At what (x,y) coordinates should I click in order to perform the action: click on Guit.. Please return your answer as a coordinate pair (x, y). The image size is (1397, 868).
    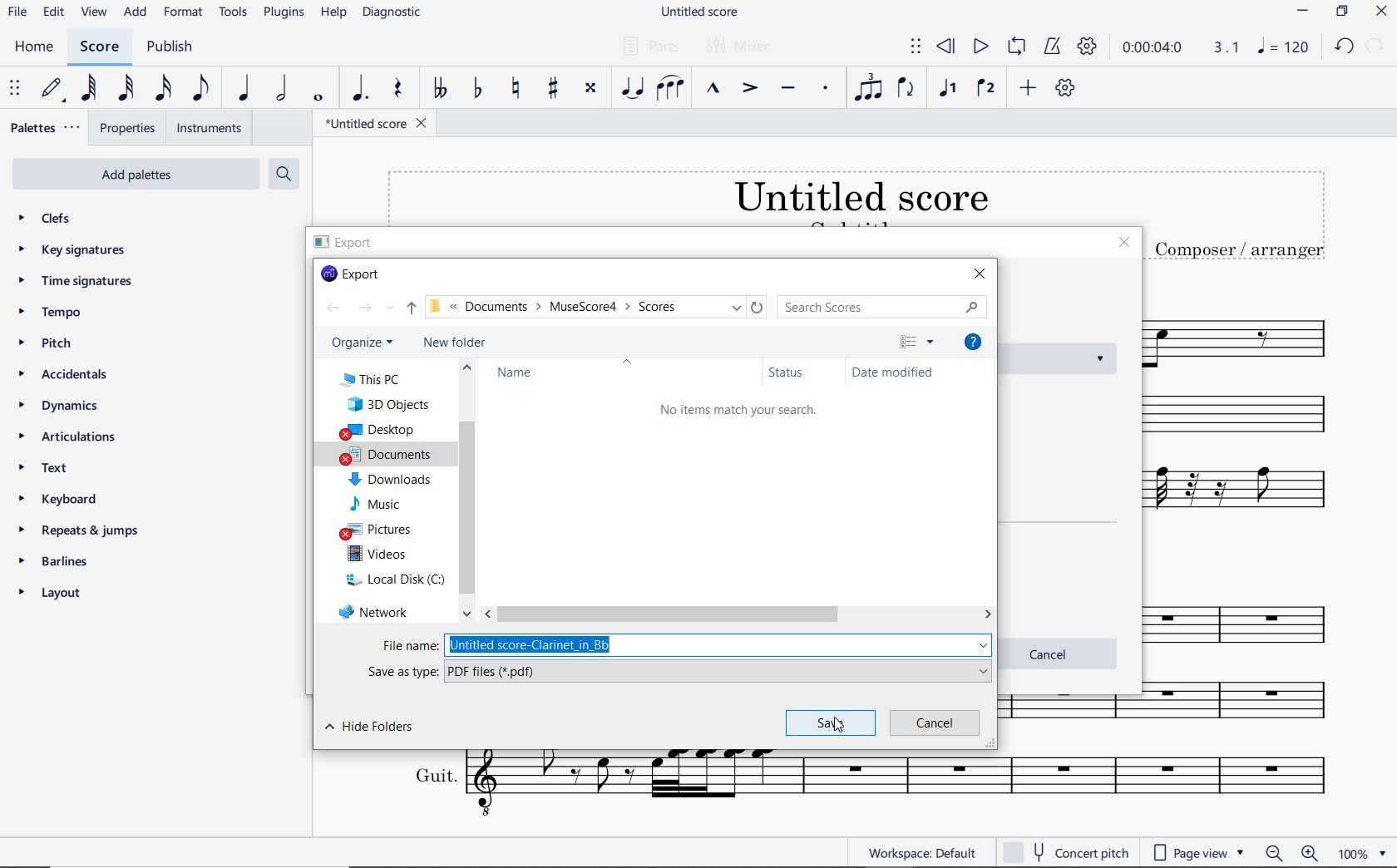
    Looking at the image, I should click on (858, 788).